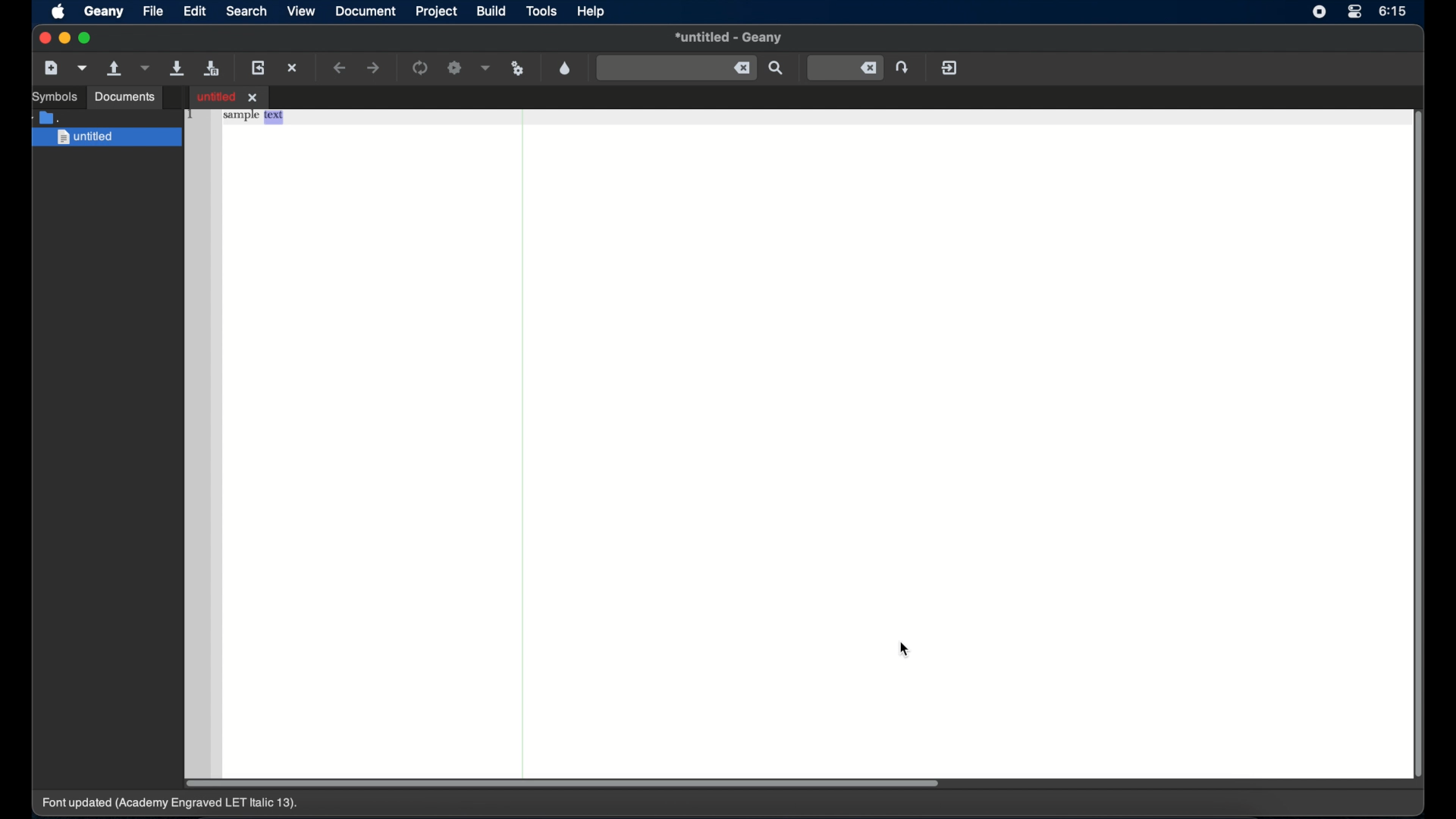 The height and width of the screenshot is (819, 1456). What do you see at coordinates (55, 97) in the screenshot?
I see `symbols` at bounding box center [55, 97].